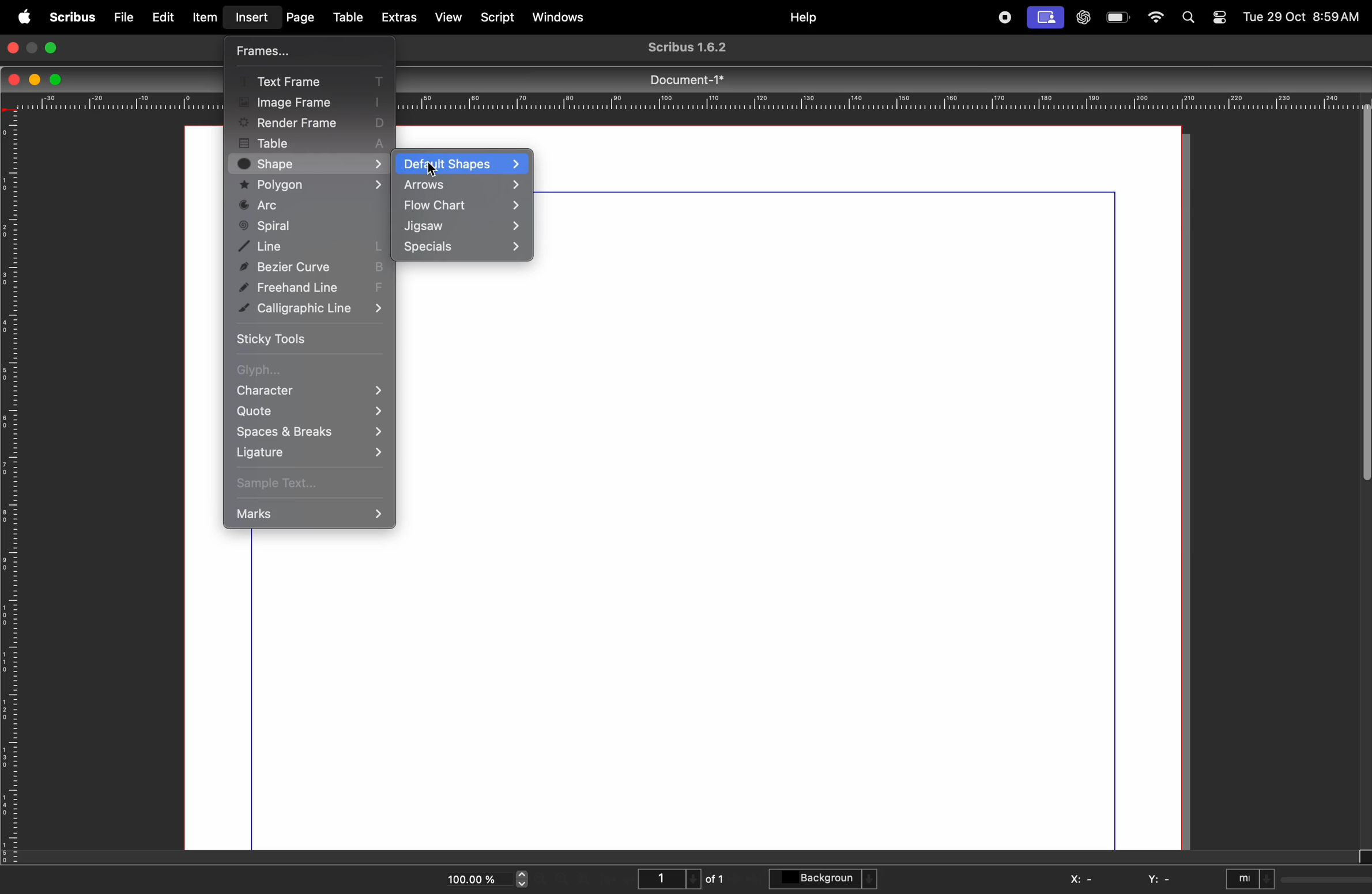  What do you see at coordinates (1083, 16) in the screenshot?
I see `chatgpt` at bounding box center [1083, 16].